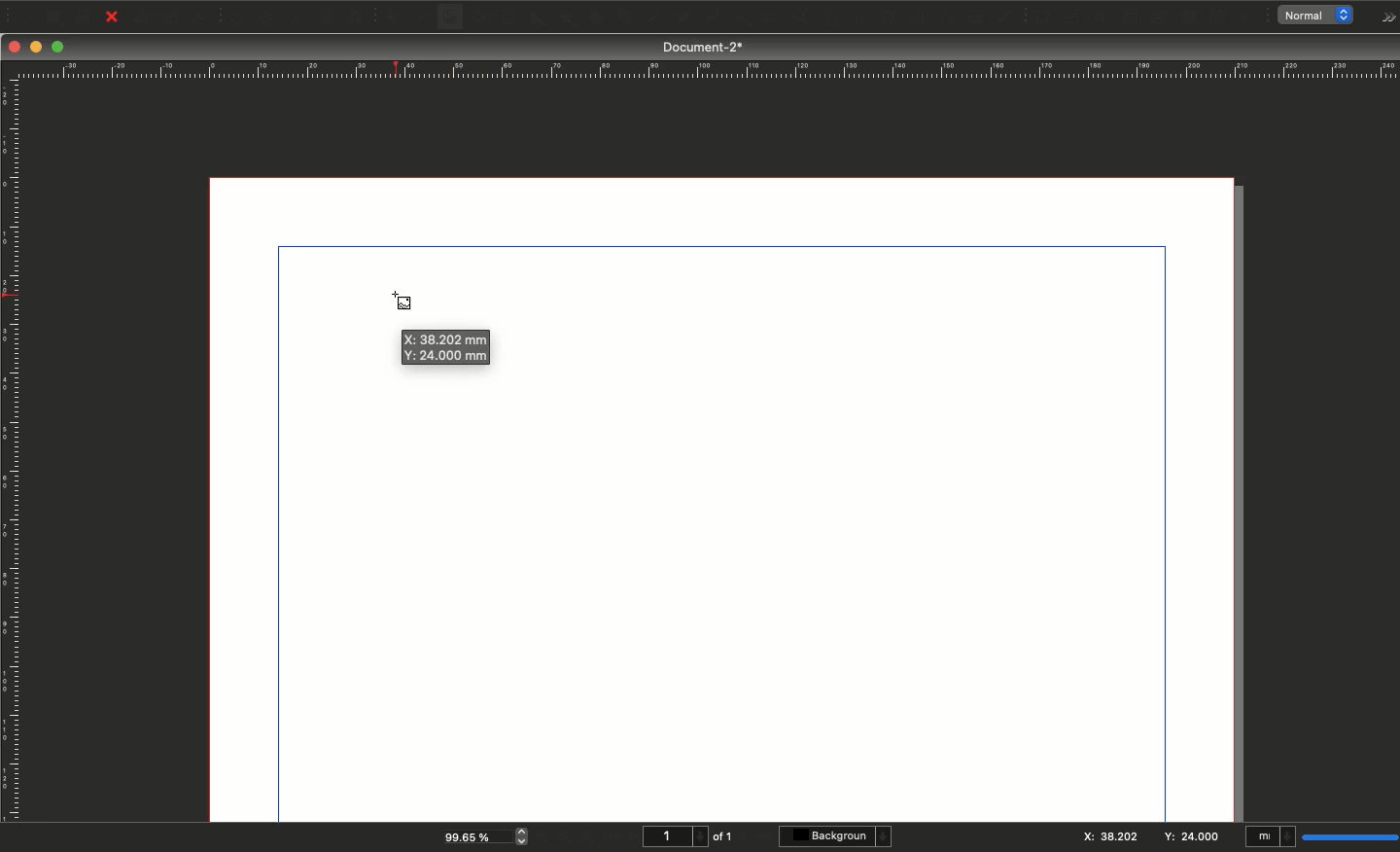  Describe the element at coordinates (87, 16) in the screenshot. I see `Save` at that location.